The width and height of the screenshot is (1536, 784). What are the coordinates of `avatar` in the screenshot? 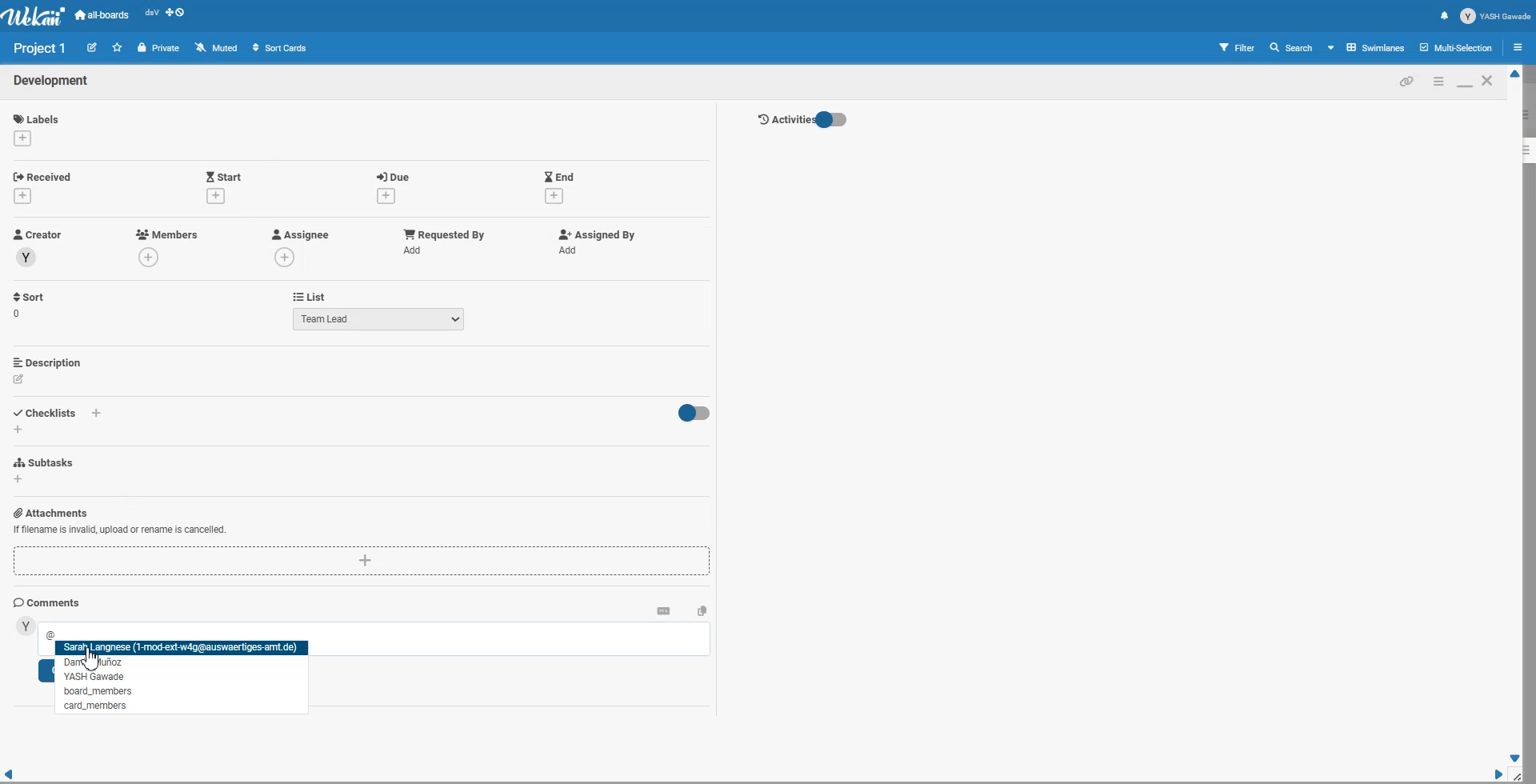 It's located at (26, 626).